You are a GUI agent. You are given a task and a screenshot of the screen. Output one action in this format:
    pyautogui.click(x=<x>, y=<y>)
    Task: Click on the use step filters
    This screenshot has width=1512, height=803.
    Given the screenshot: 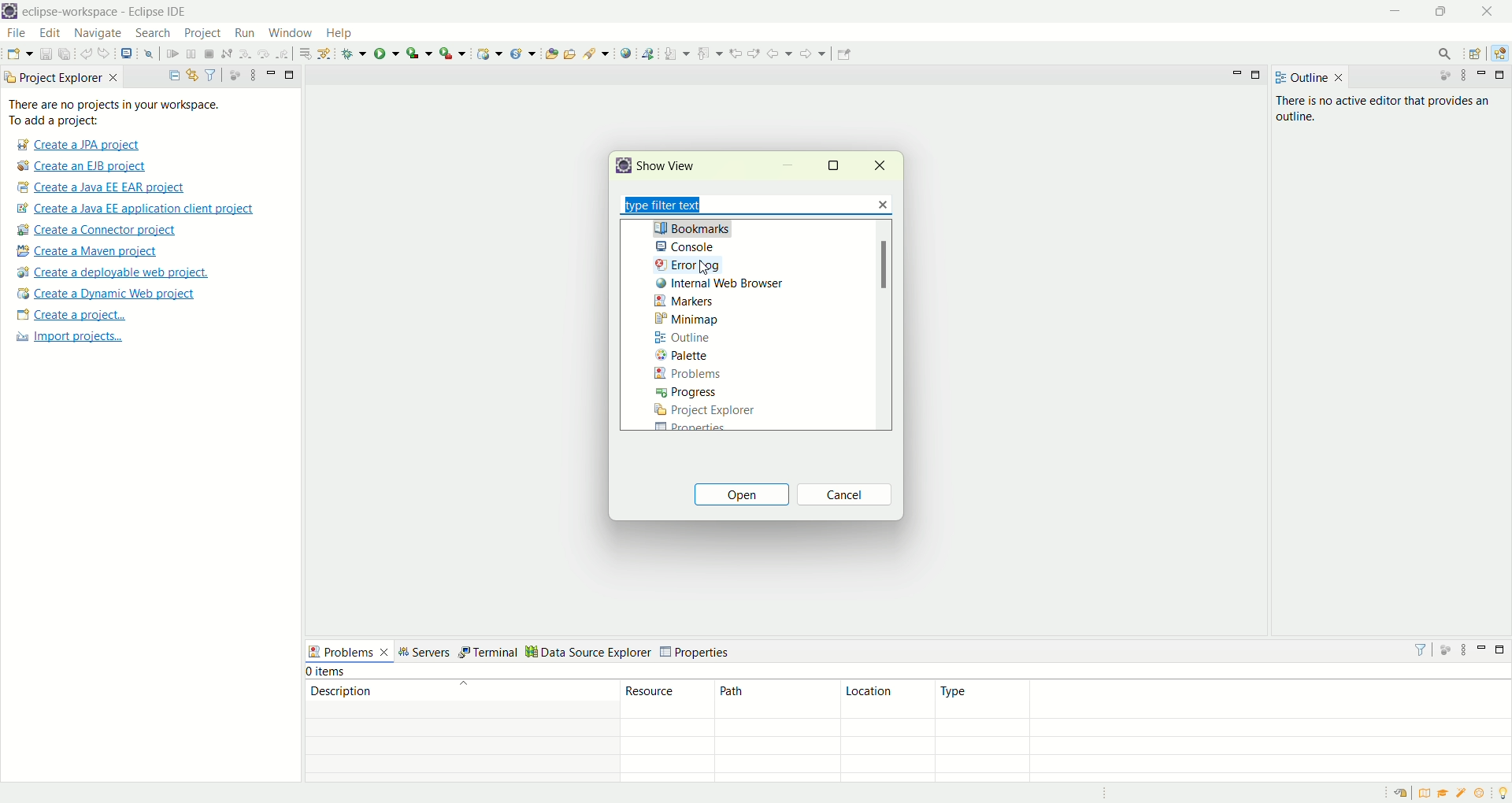 What is the action you would take?
    pyautogui.click(x=323, y=54)
    